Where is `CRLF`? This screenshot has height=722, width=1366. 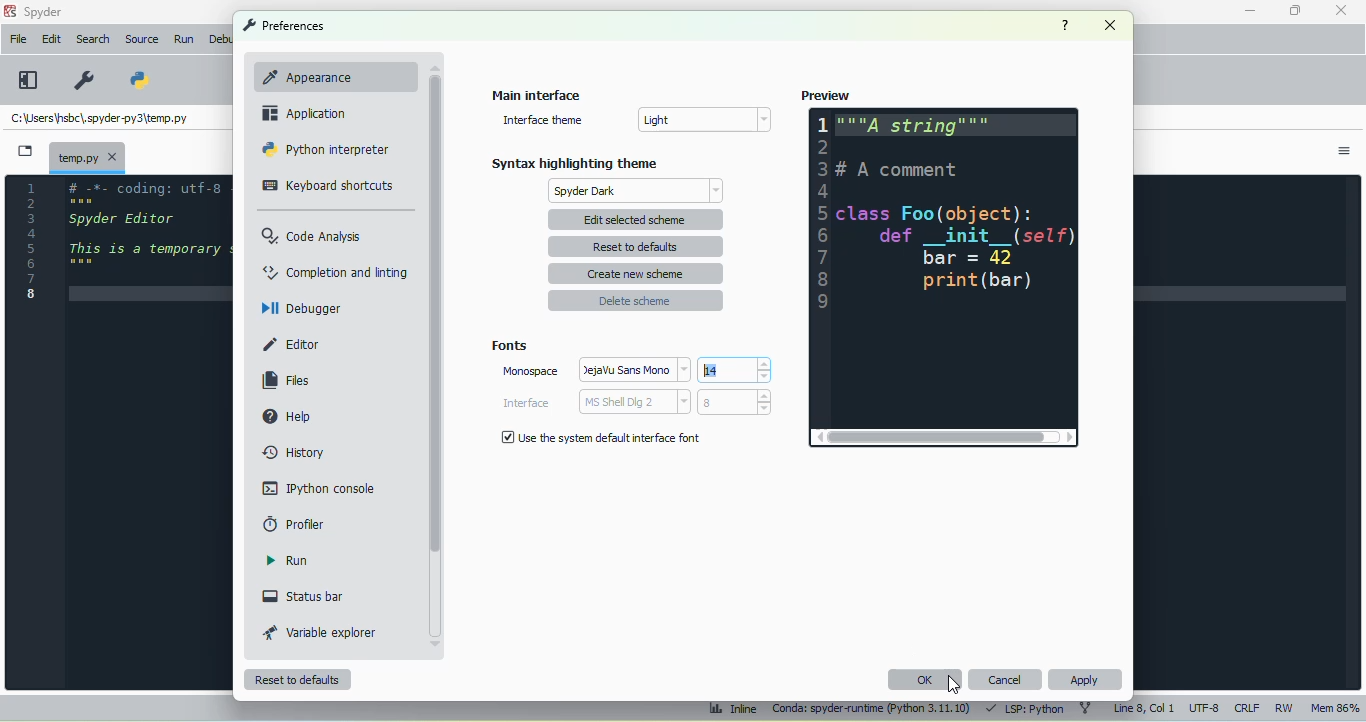 CRLF is located at coordinates (1246, 709).